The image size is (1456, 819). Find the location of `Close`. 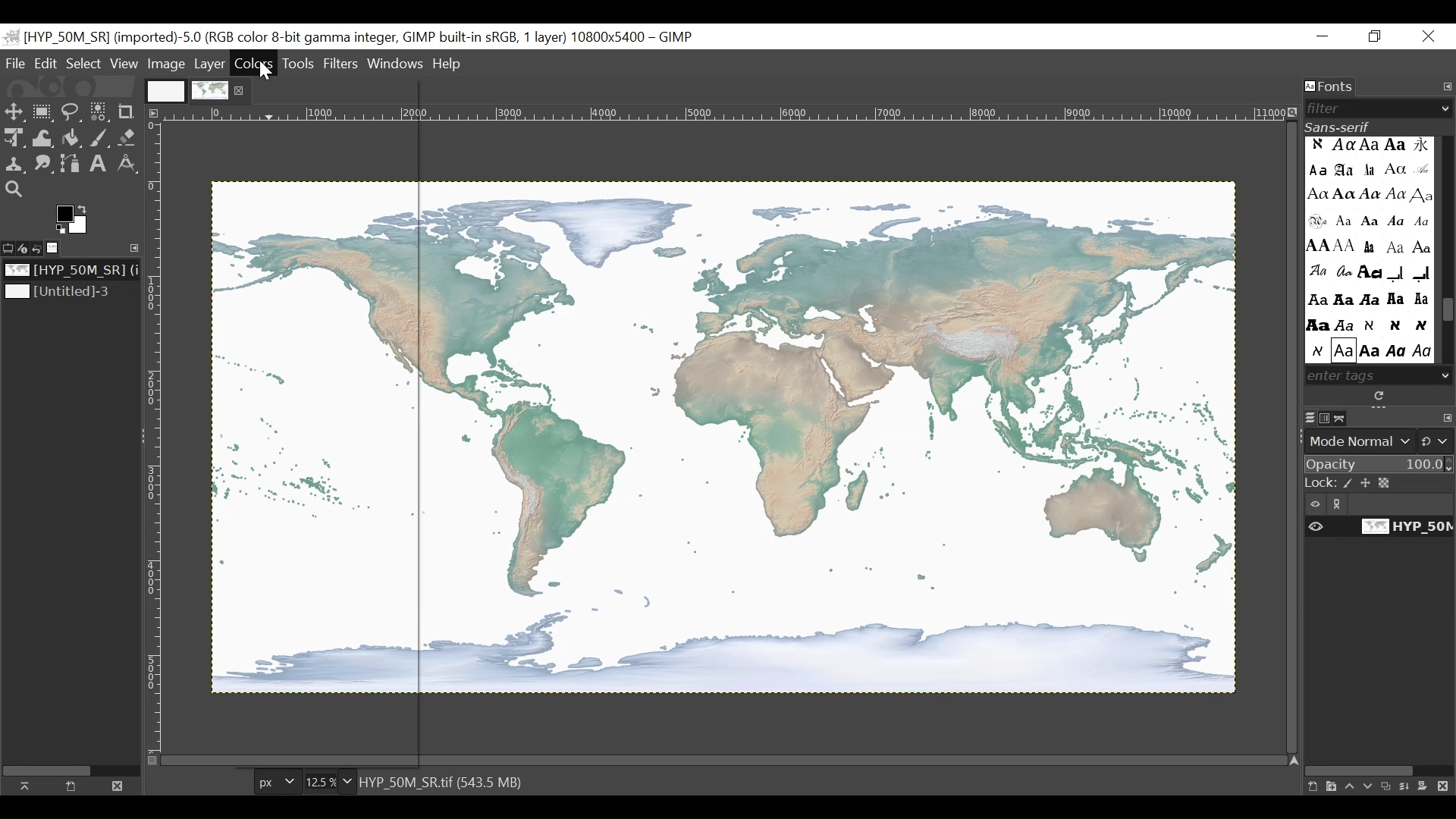

Close is located at coordinates (115, 785).